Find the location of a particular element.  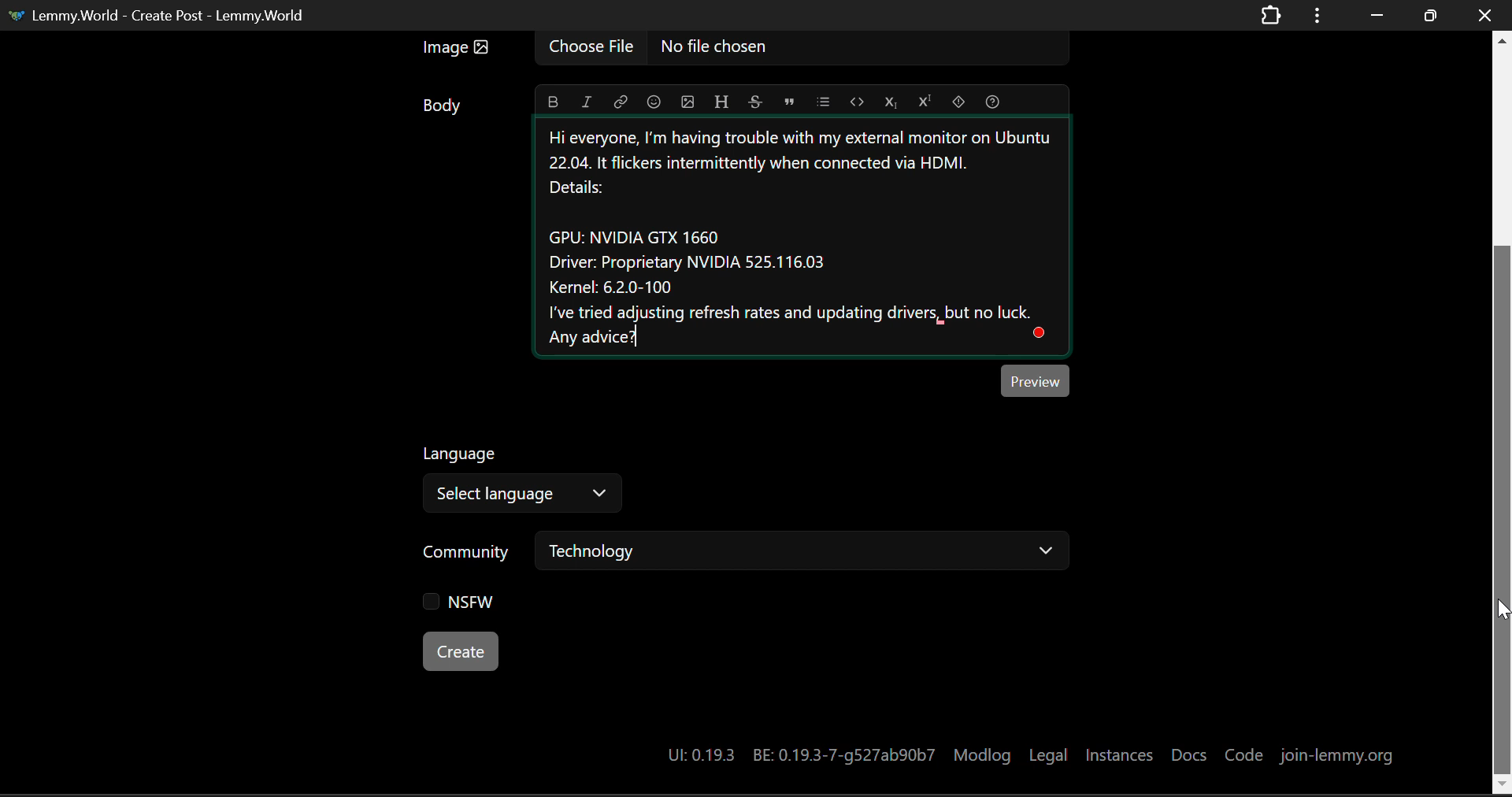

Legal is located at coordinates (1048, 754).